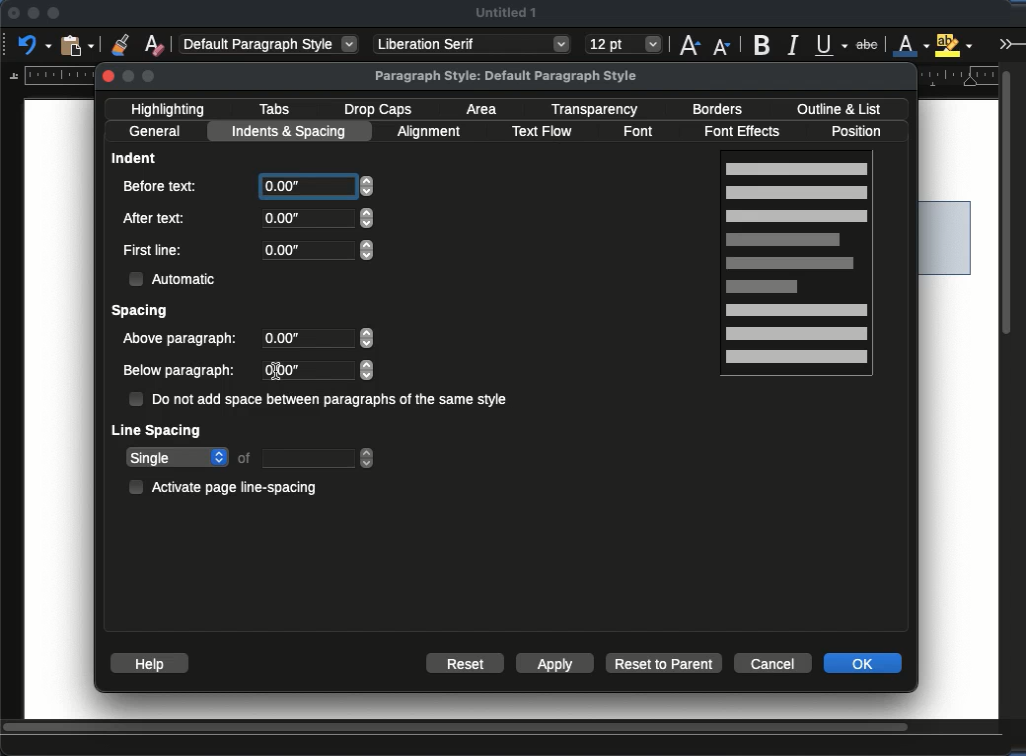 The image size is (1026, 756). I want to click on 0.00, so click(317, 186).